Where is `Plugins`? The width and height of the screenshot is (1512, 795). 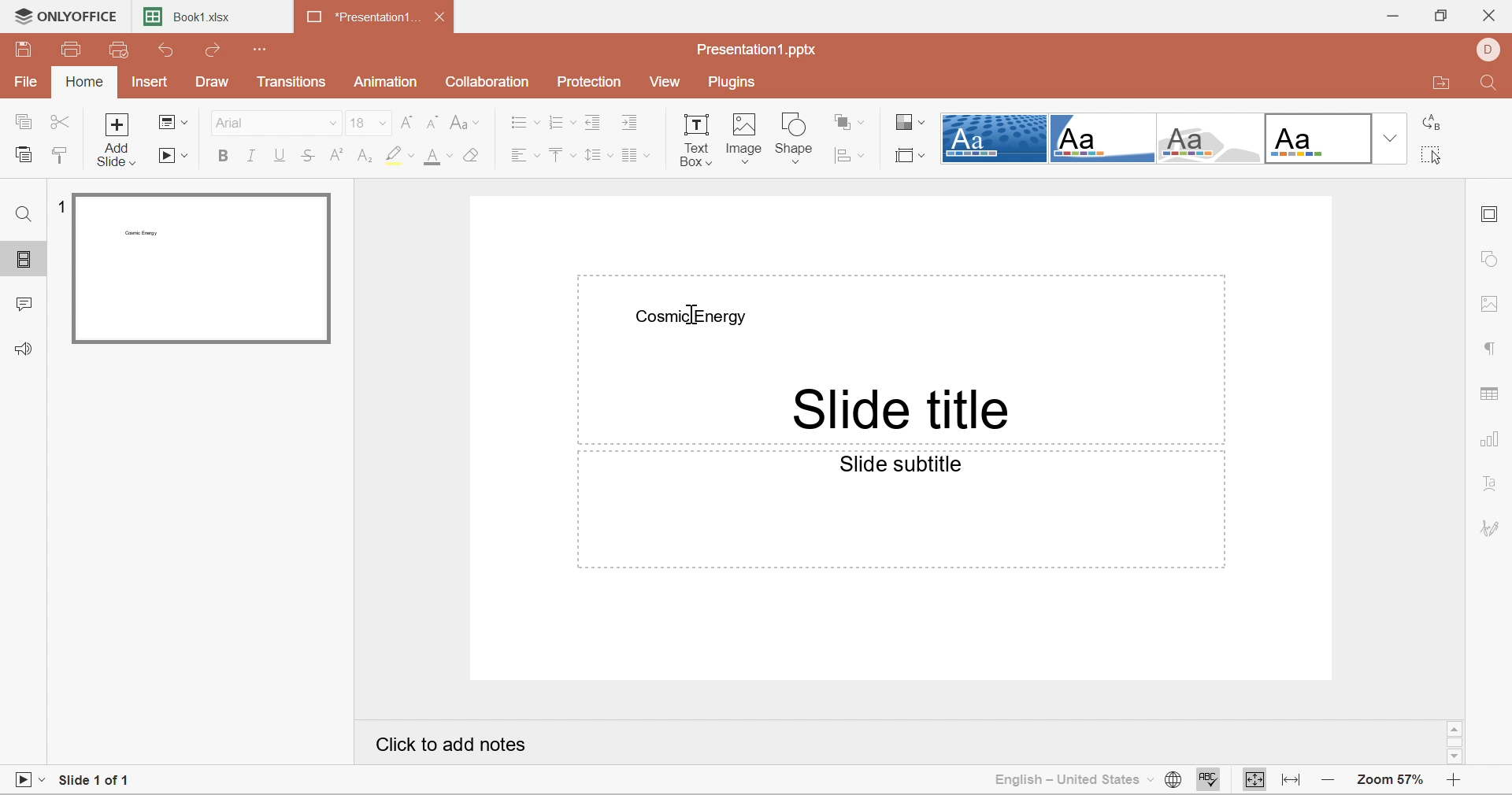
Plugins is located at coordinates (734, 83).